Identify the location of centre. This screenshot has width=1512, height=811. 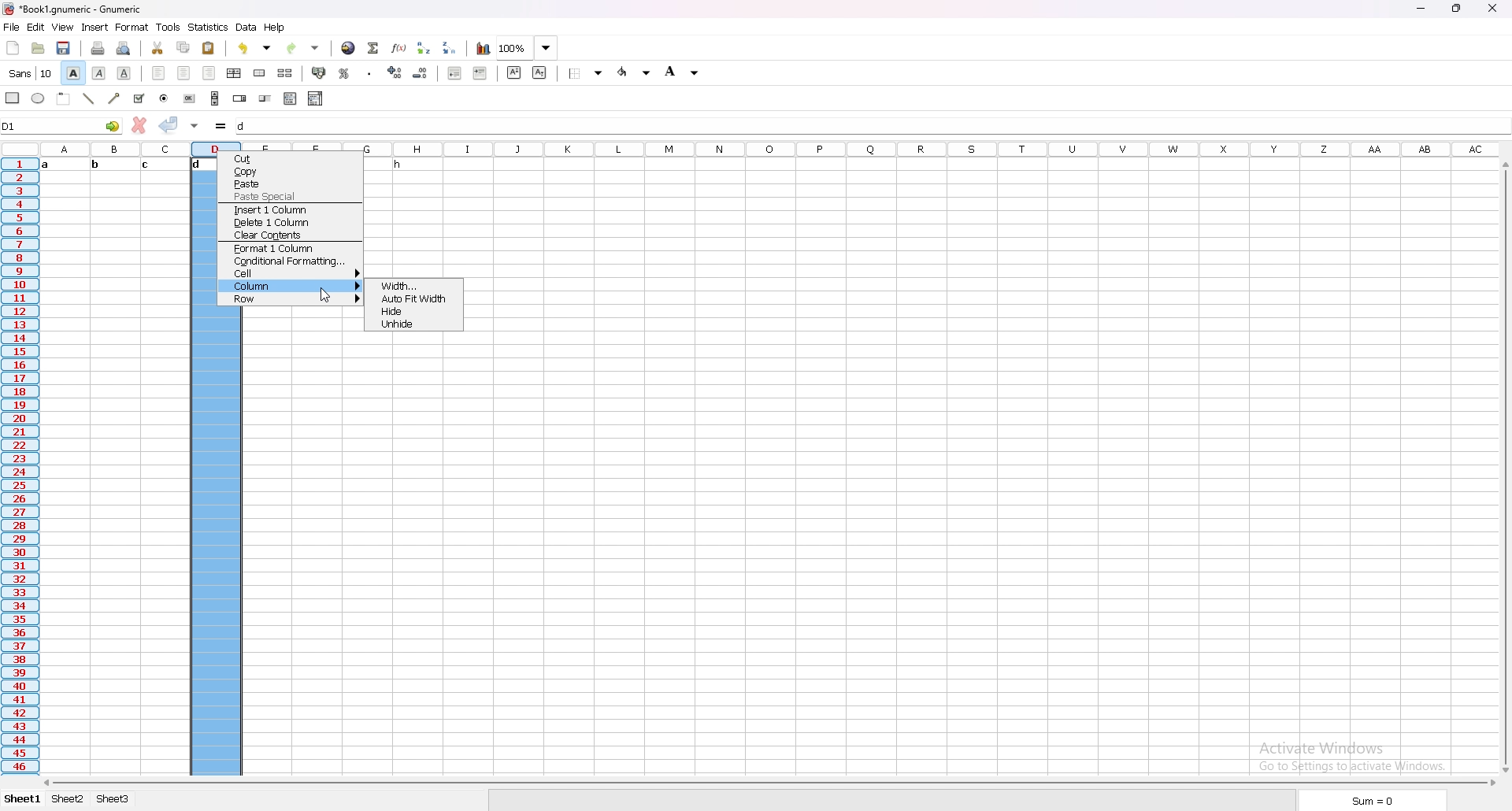
(184, 72).